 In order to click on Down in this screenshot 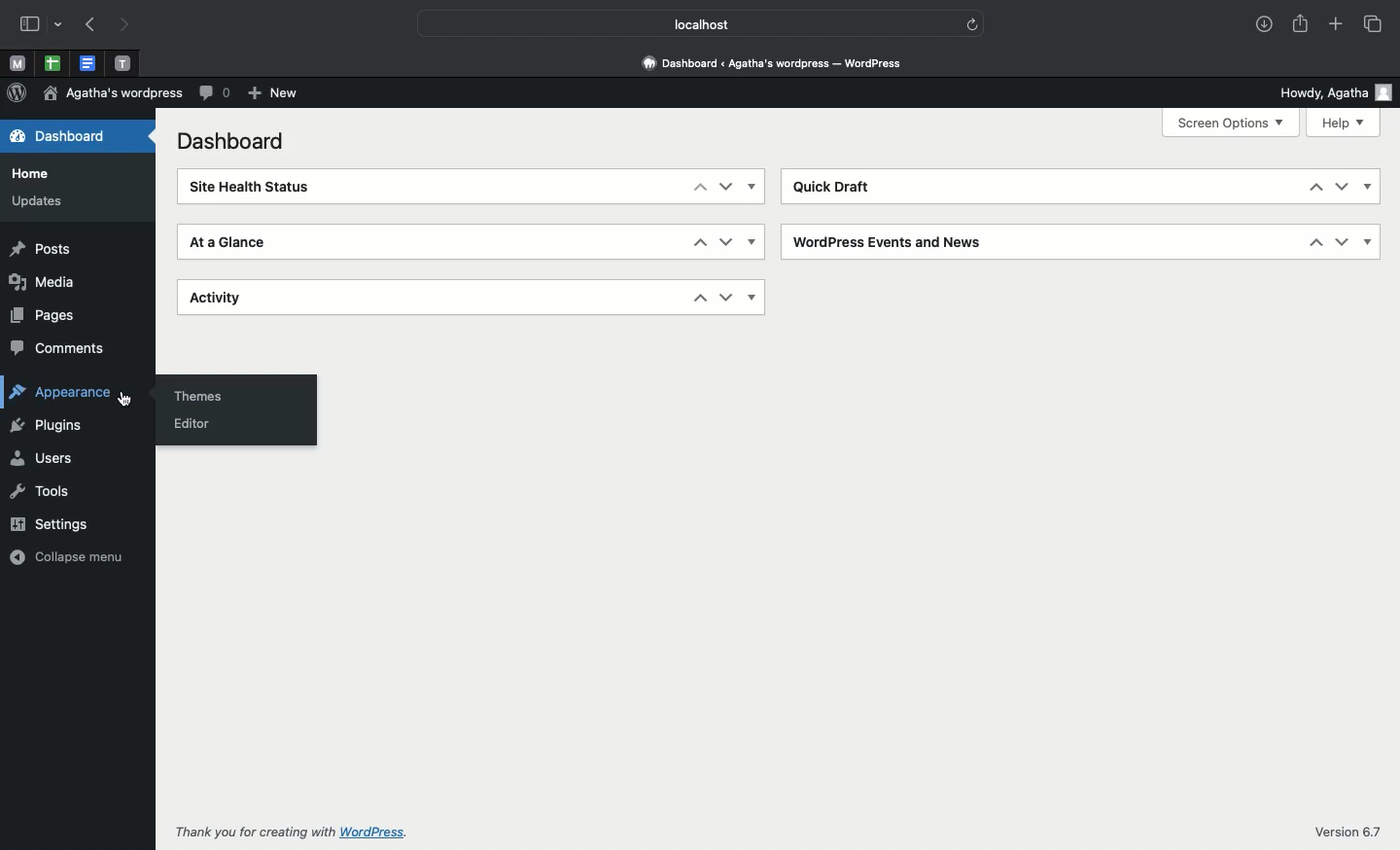, I will do `click(726, 300)`.